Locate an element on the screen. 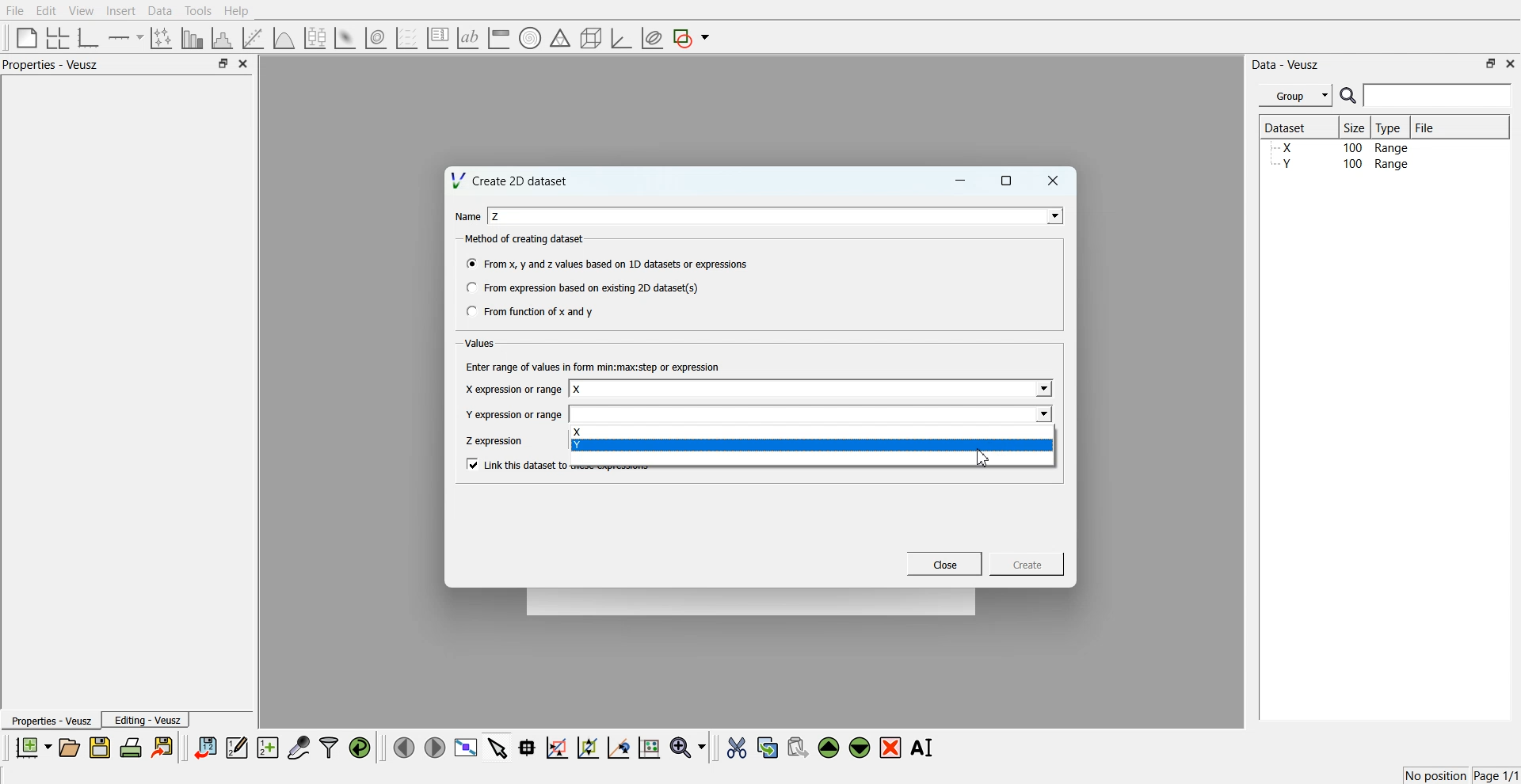 The height and width of the screenshot is (784, 1521). X 100 Range is located at coordinates (1341, 147).